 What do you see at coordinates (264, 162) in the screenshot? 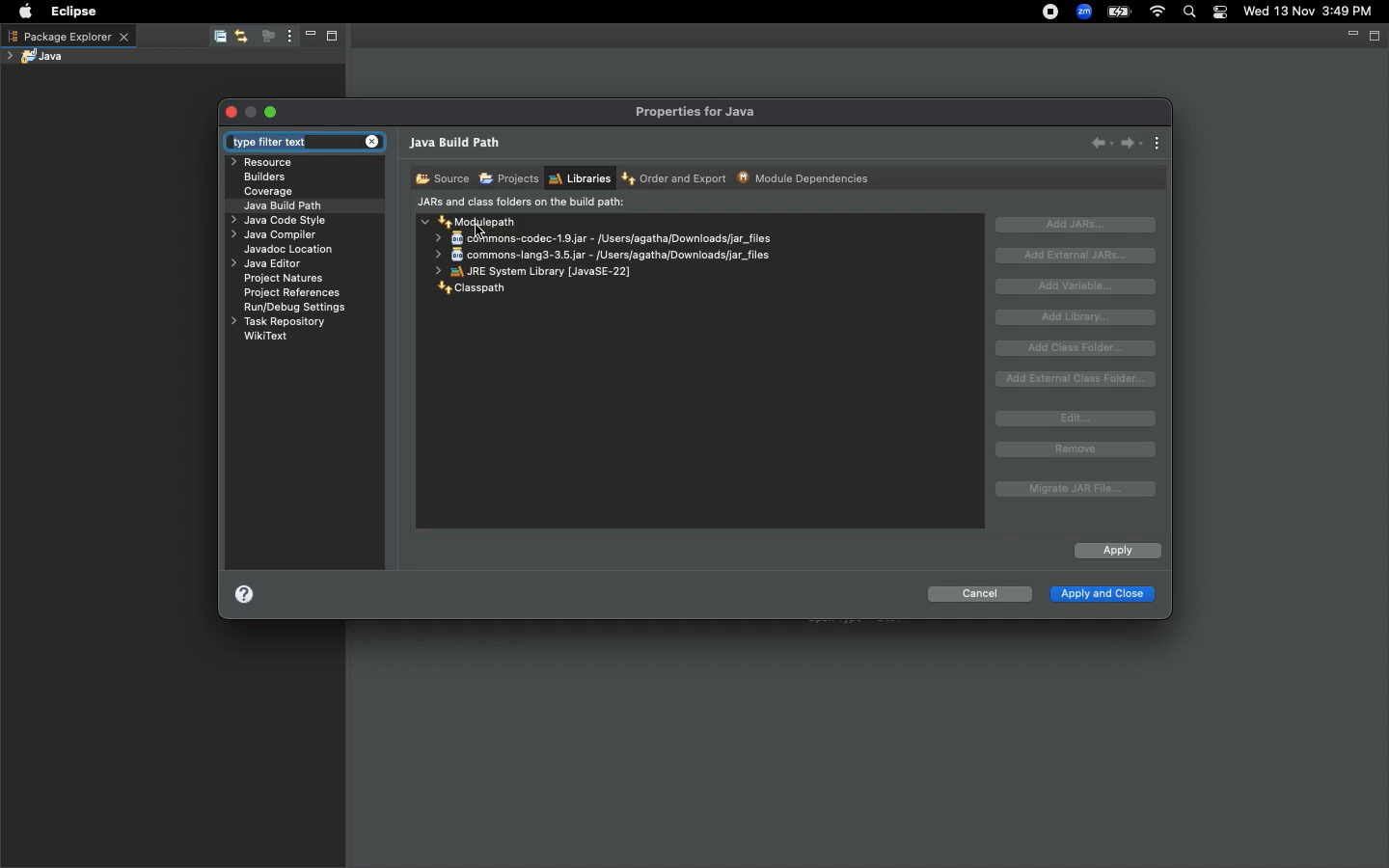
I see `Resource` at bounding box center [264, 162].